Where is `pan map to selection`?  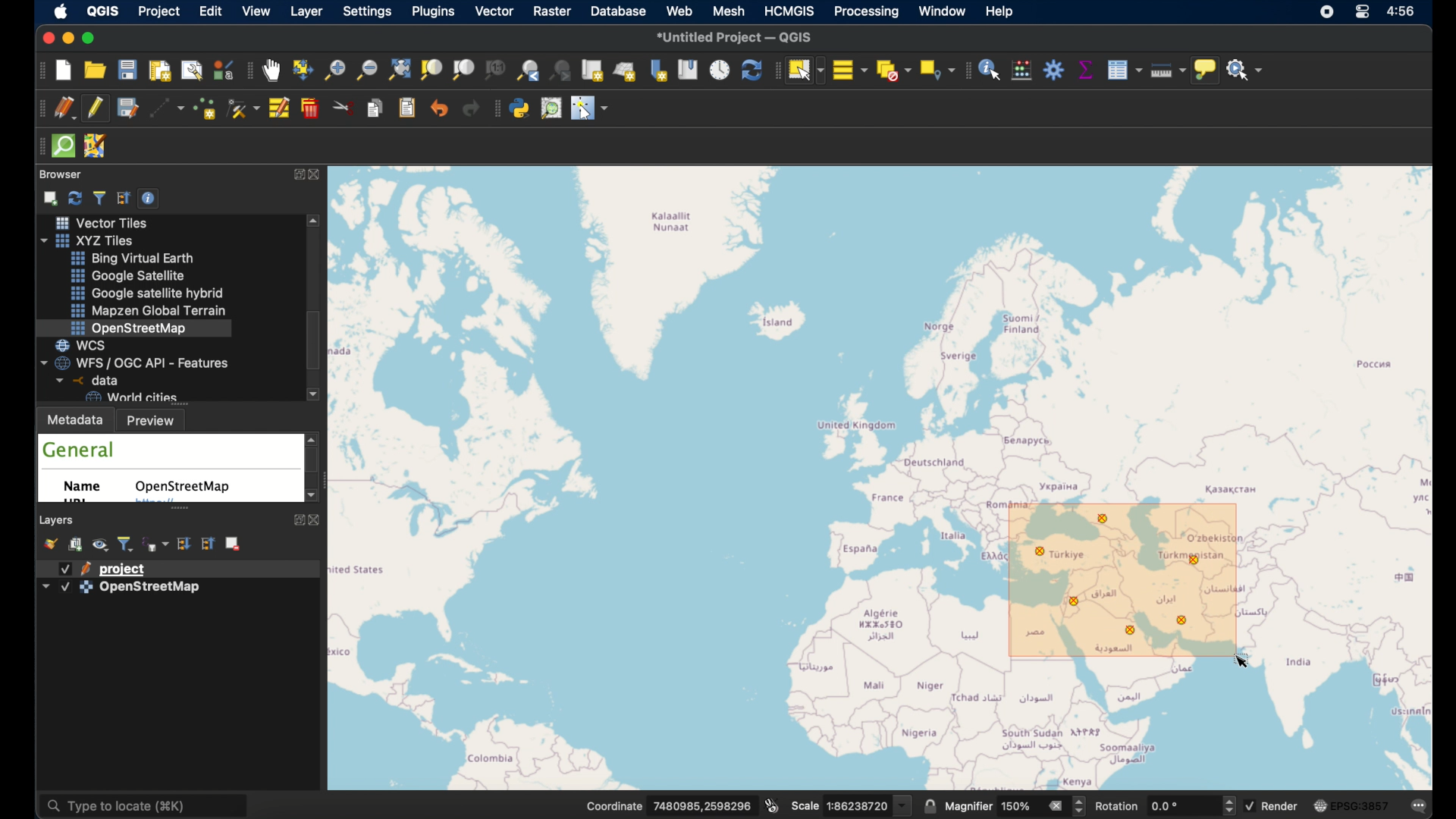
pan map to selection is located at coordinates (303, 69).